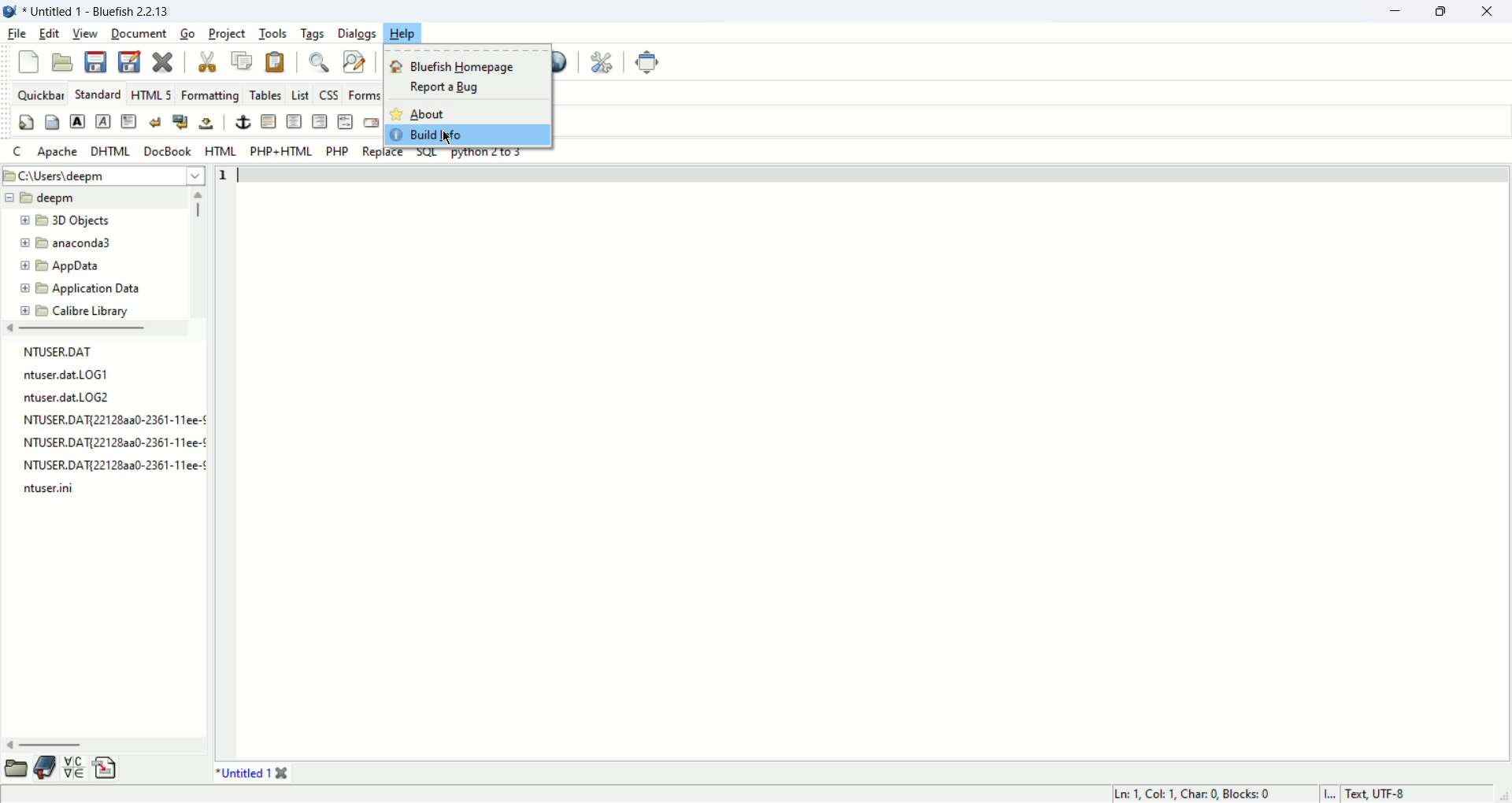  Describe the element at coordinates (239, 773) in the screenshot. I see `document tab` at that location.